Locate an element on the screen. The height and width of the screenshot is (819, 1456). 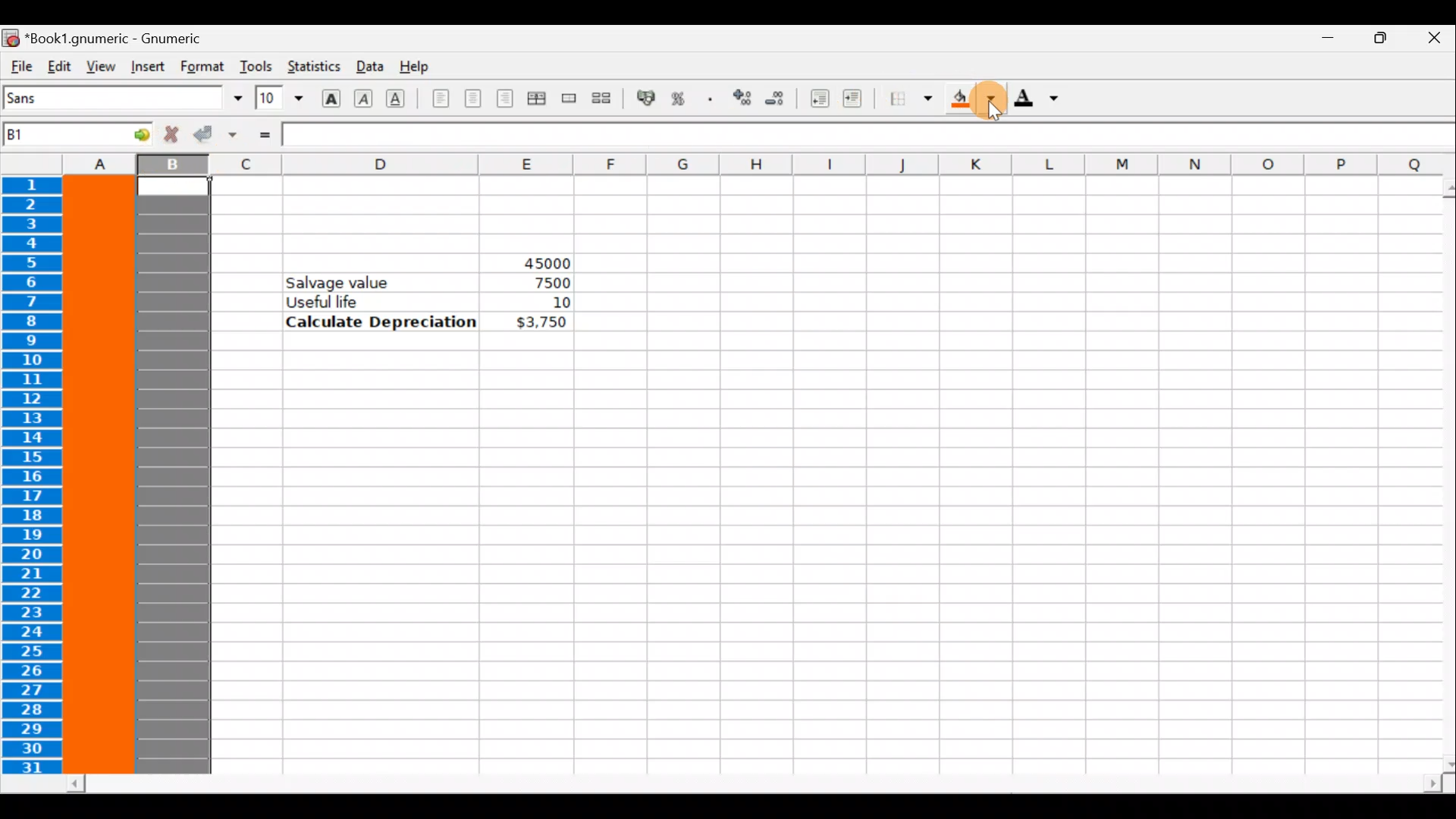
Selected Column A highlighted with color is located at coordinates (100, 475).